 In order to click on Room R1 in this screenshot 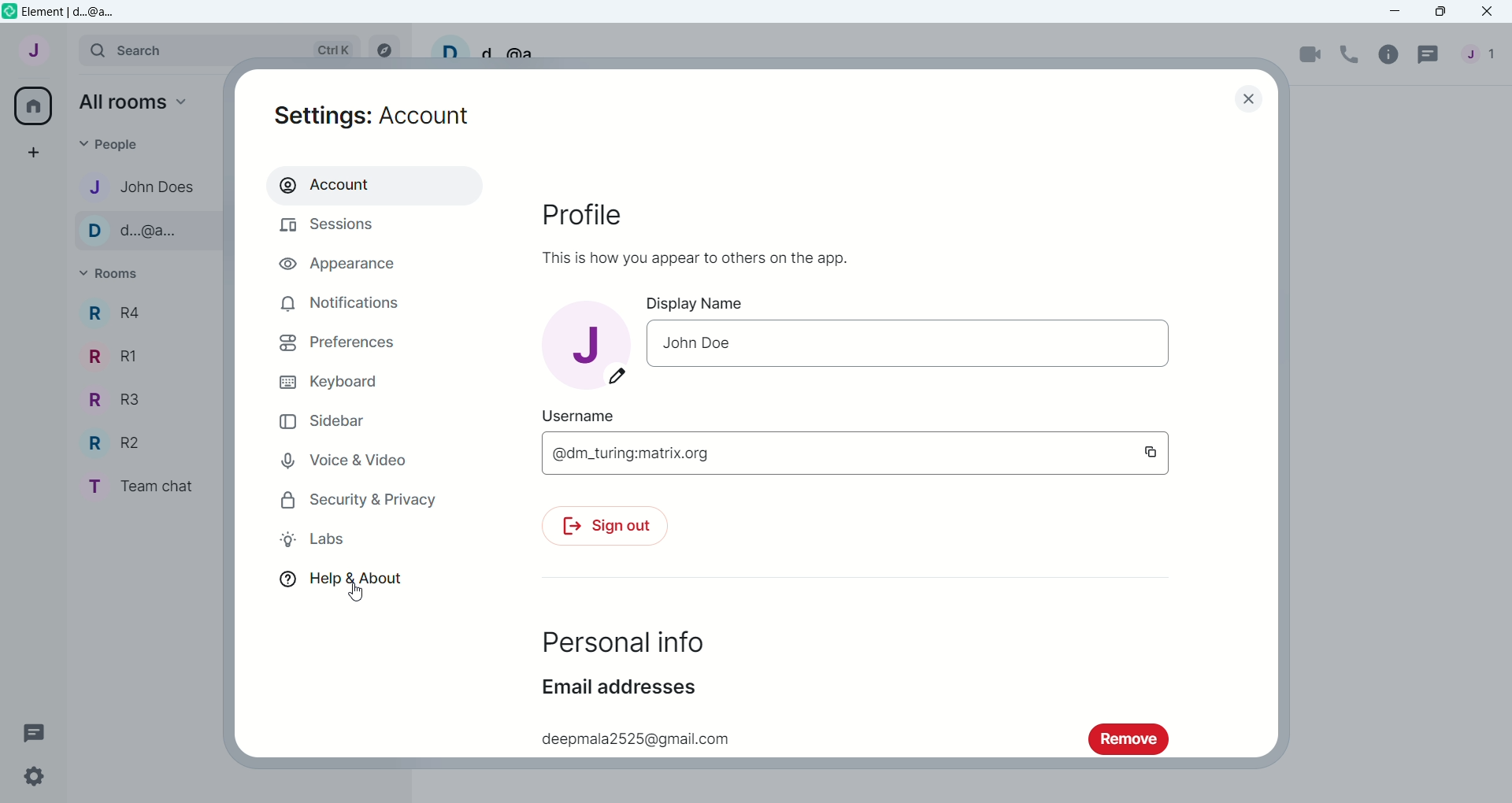, I will do `click(108, 354)`.